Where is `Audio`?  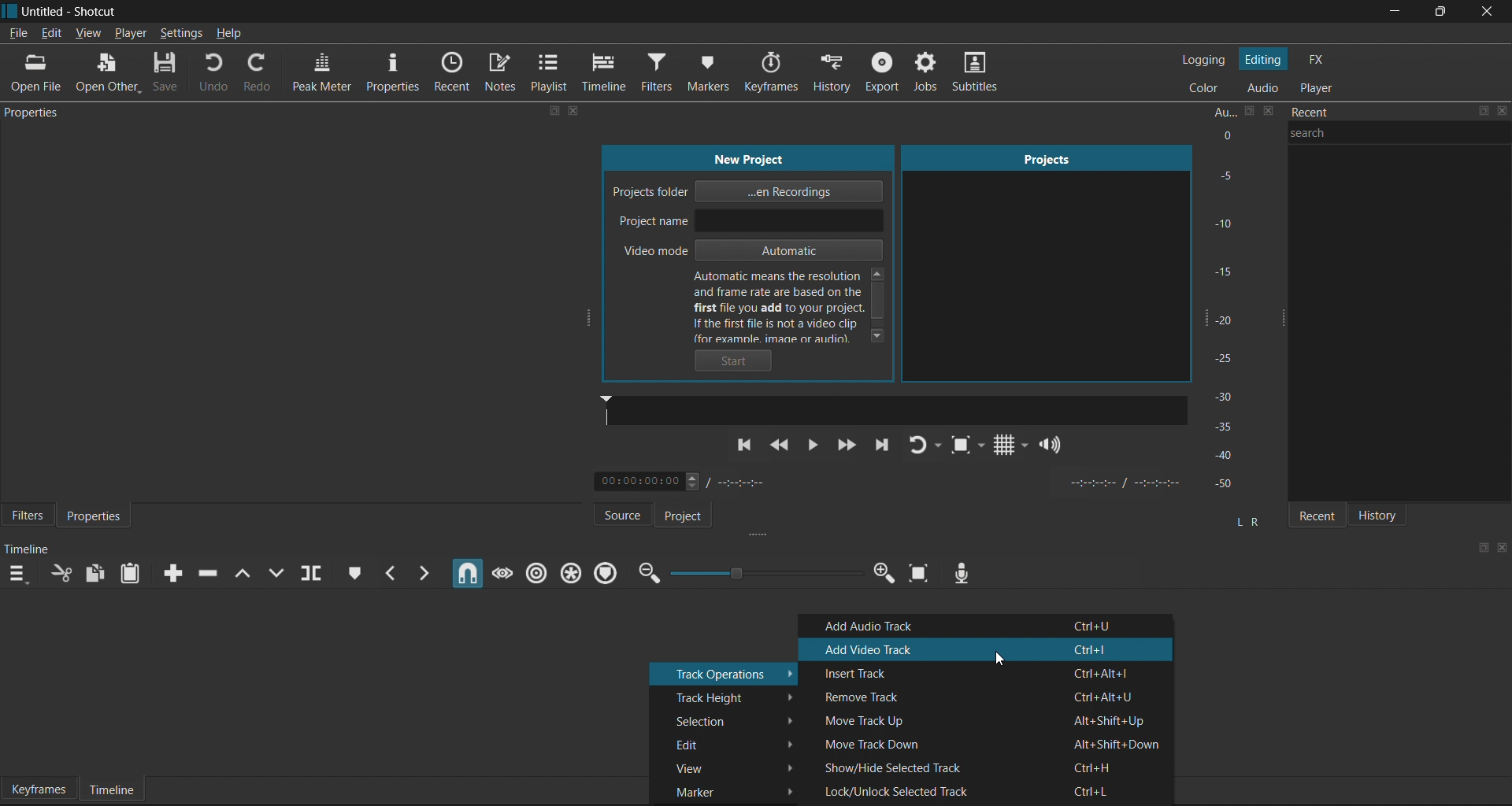 Audio is located at coordinates (1262, 88).